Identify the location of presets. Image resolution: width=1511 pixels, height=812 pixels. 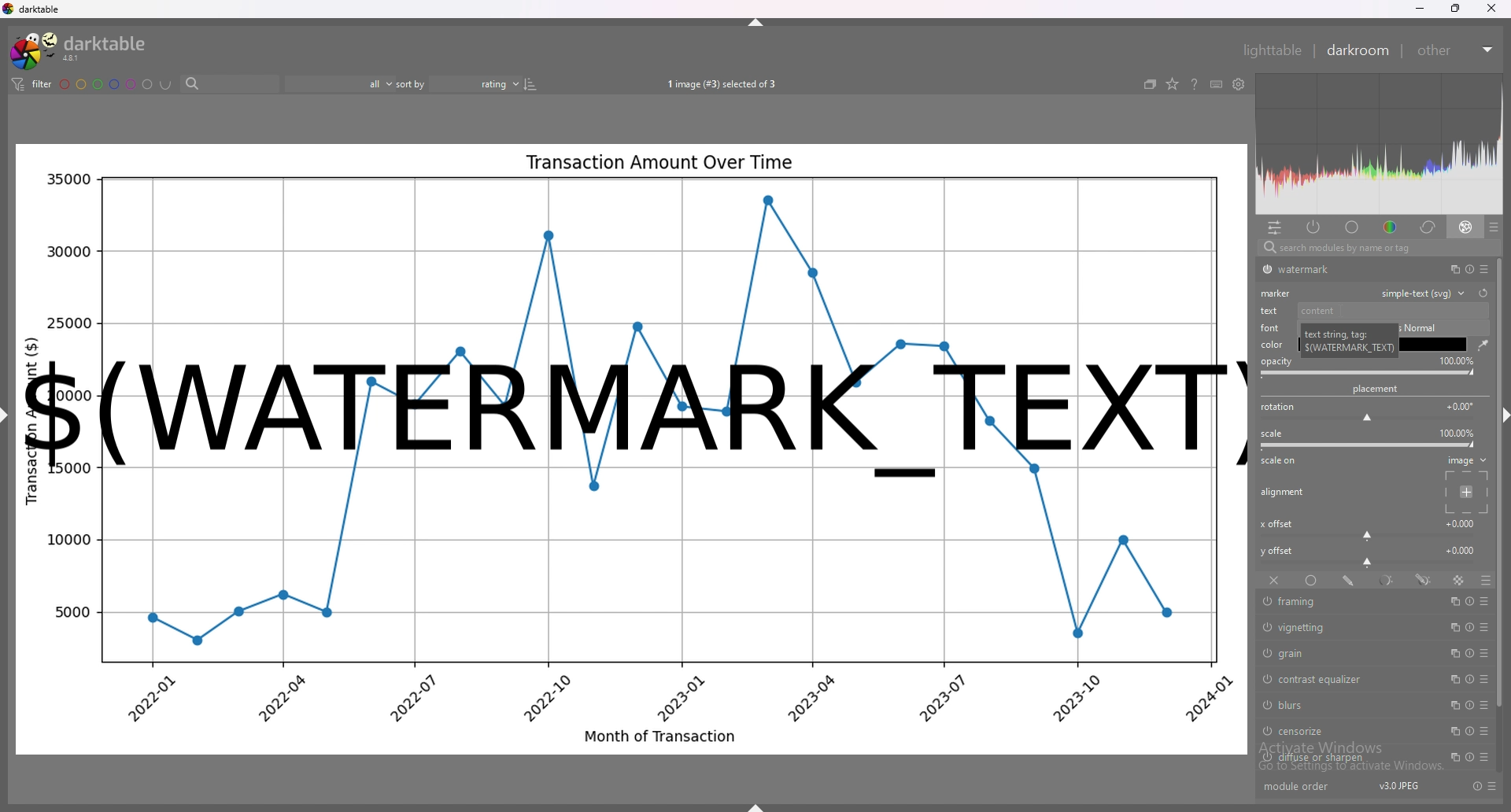
(1487, 706).